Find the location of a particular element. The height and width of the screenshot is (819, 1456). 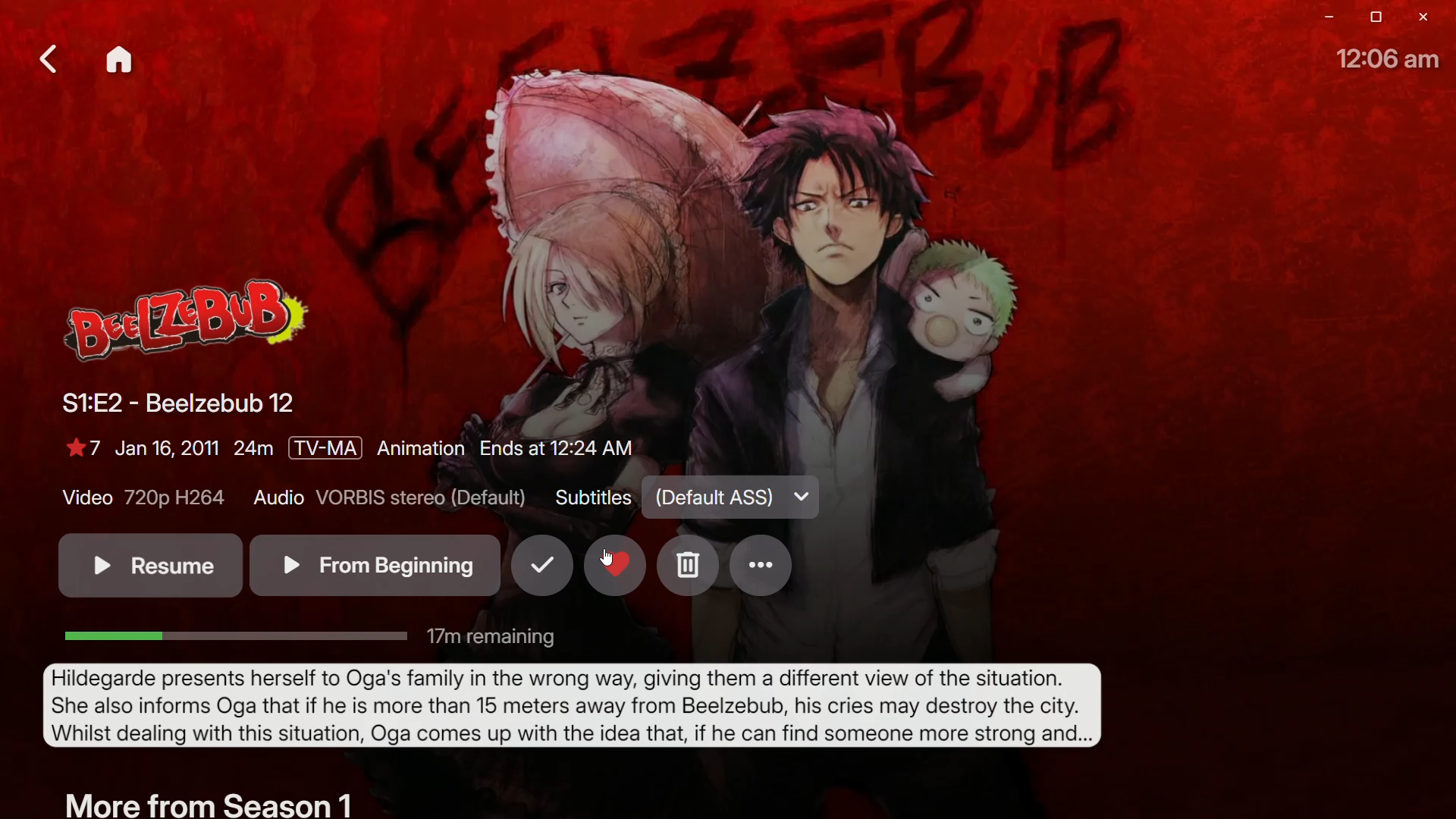

Mark as watched is located at coordinates (540, 572).